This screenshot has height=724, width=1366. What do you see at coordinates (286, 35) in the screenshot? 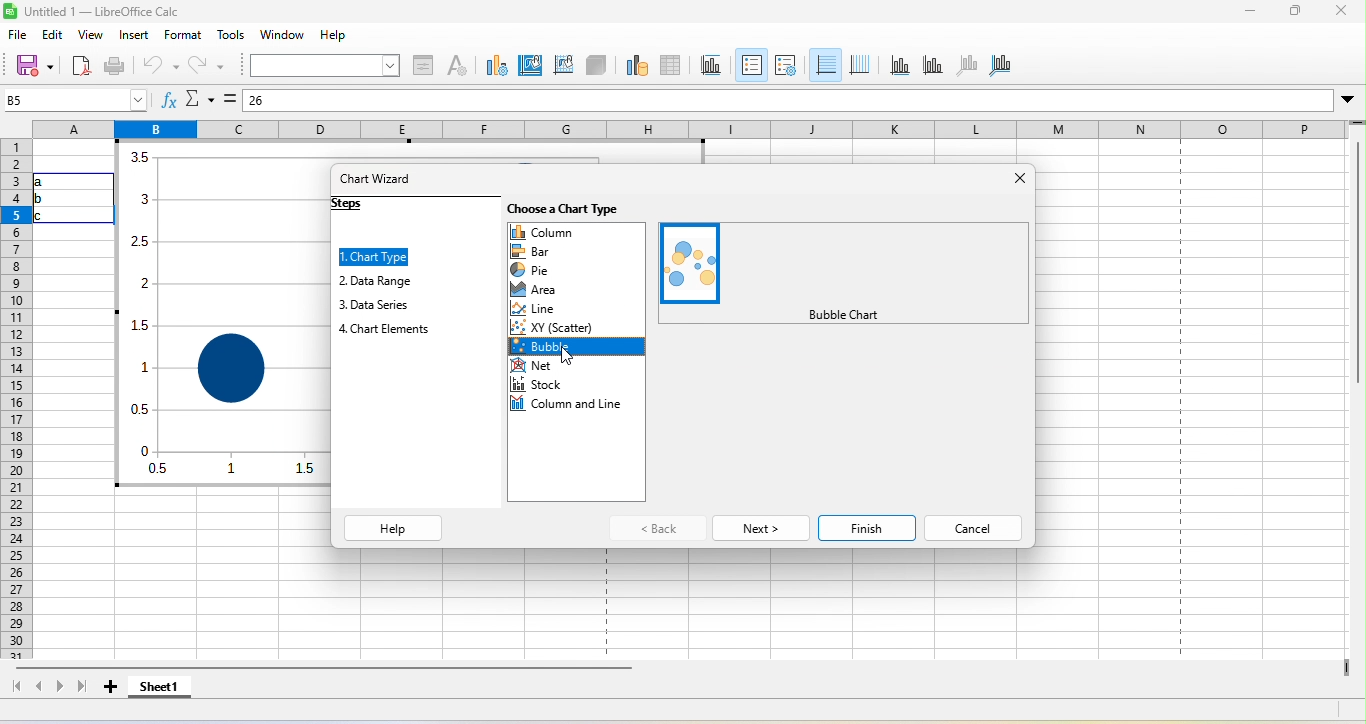
I see `window` at bounding box center [286, 35].